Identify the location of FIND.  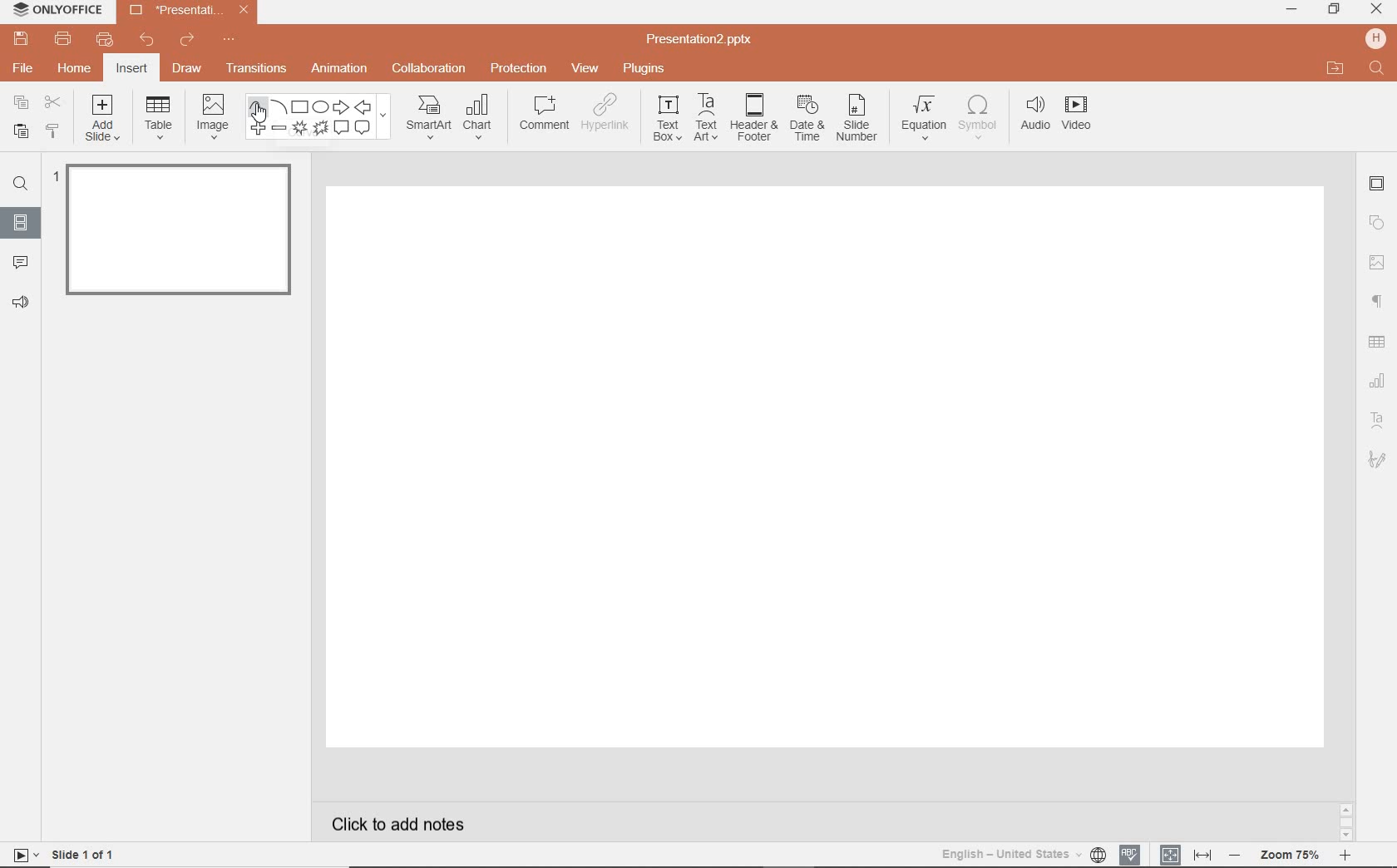
(1376, 69).